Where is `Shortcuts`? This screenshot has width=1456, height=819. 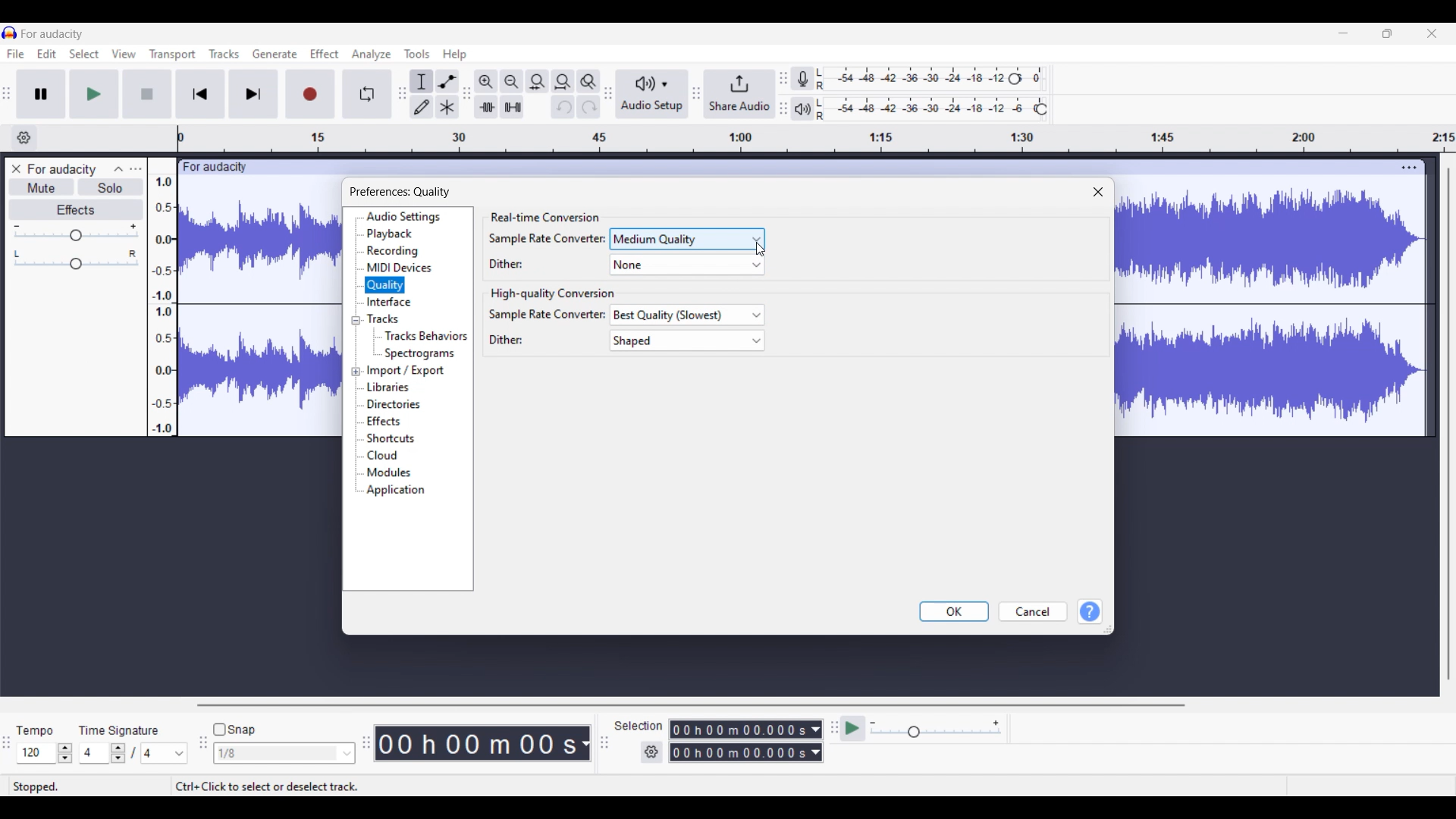 Shortcuts is located at coordinates (391, 438).